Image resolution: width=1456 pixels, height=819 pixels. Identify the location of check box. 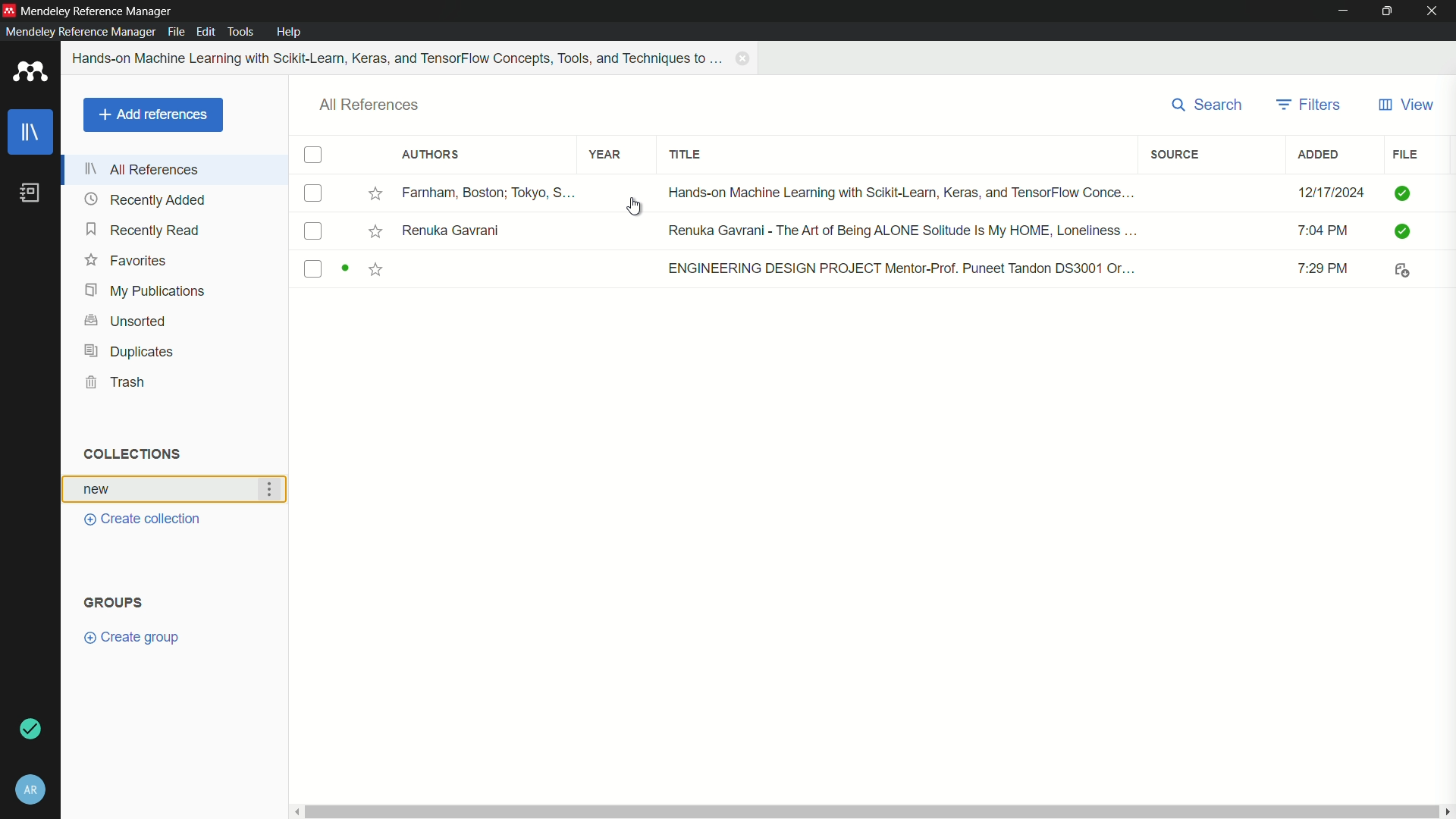
(313, 155).